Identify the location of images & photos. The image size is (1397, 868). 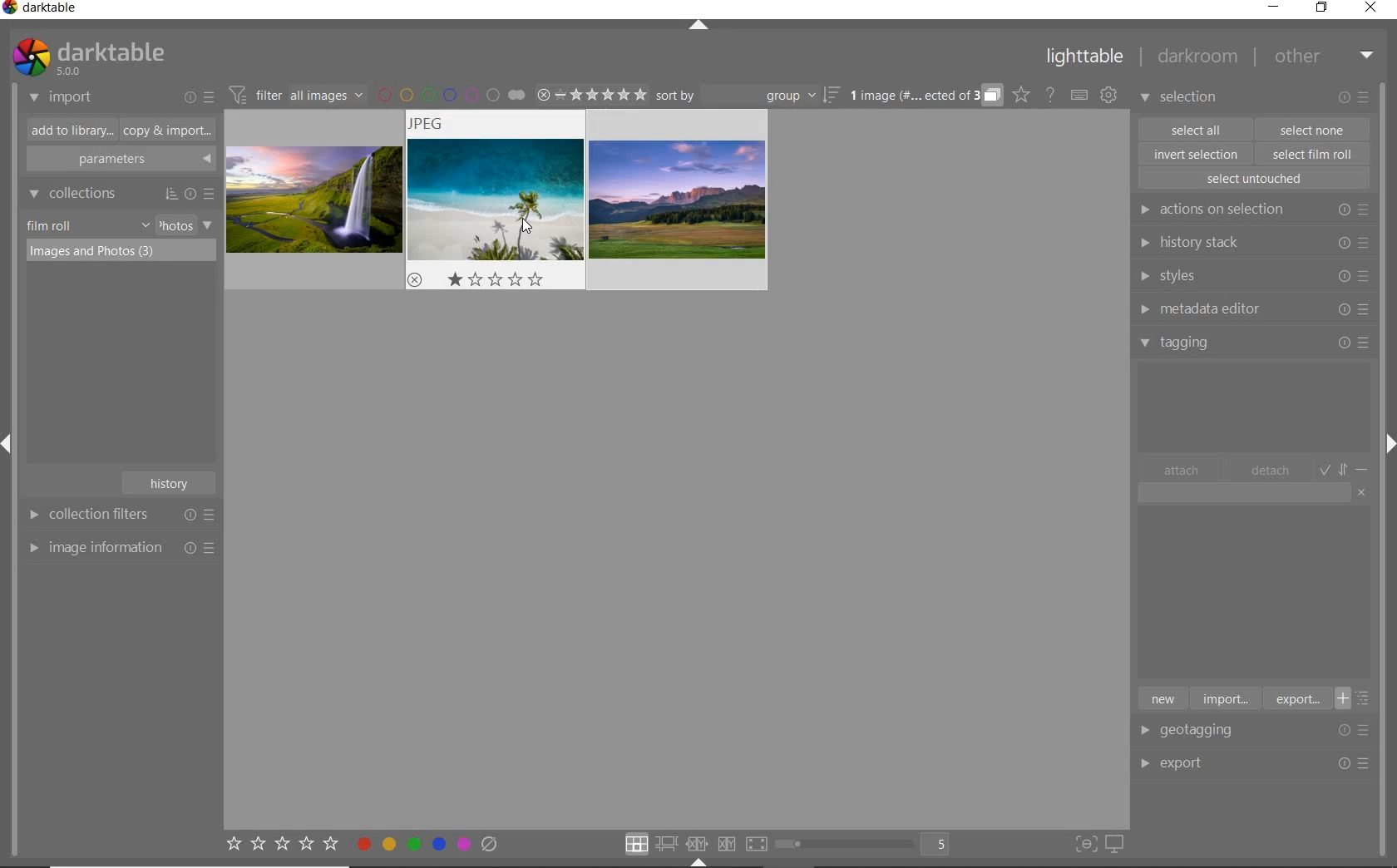
(121, 252).